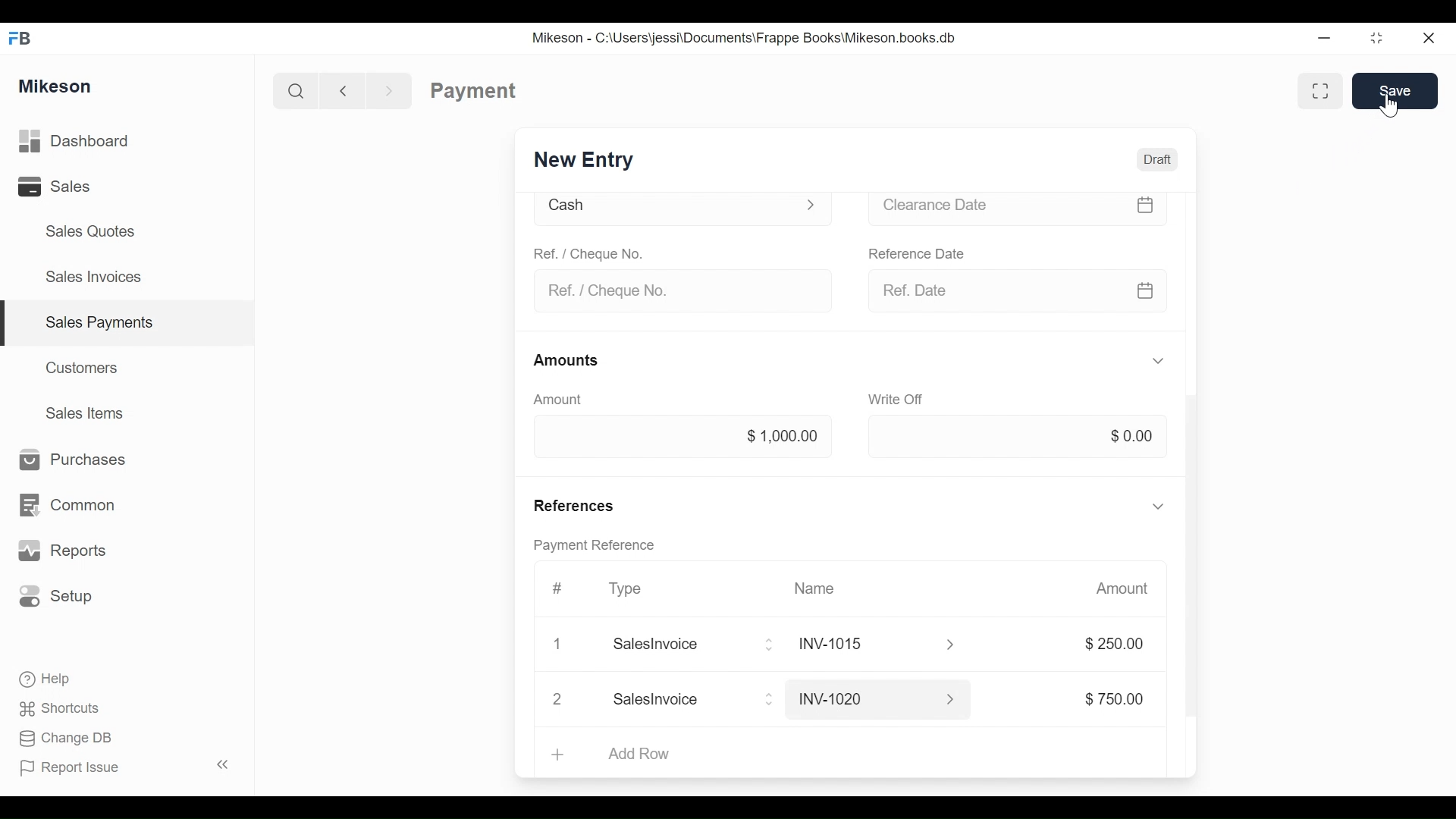 This screenshot has height=819, width=1456. What do you see at coordinates (691, 645) in the screenshot?
I see `Salesinvoice` at bounding box center [691, 645].